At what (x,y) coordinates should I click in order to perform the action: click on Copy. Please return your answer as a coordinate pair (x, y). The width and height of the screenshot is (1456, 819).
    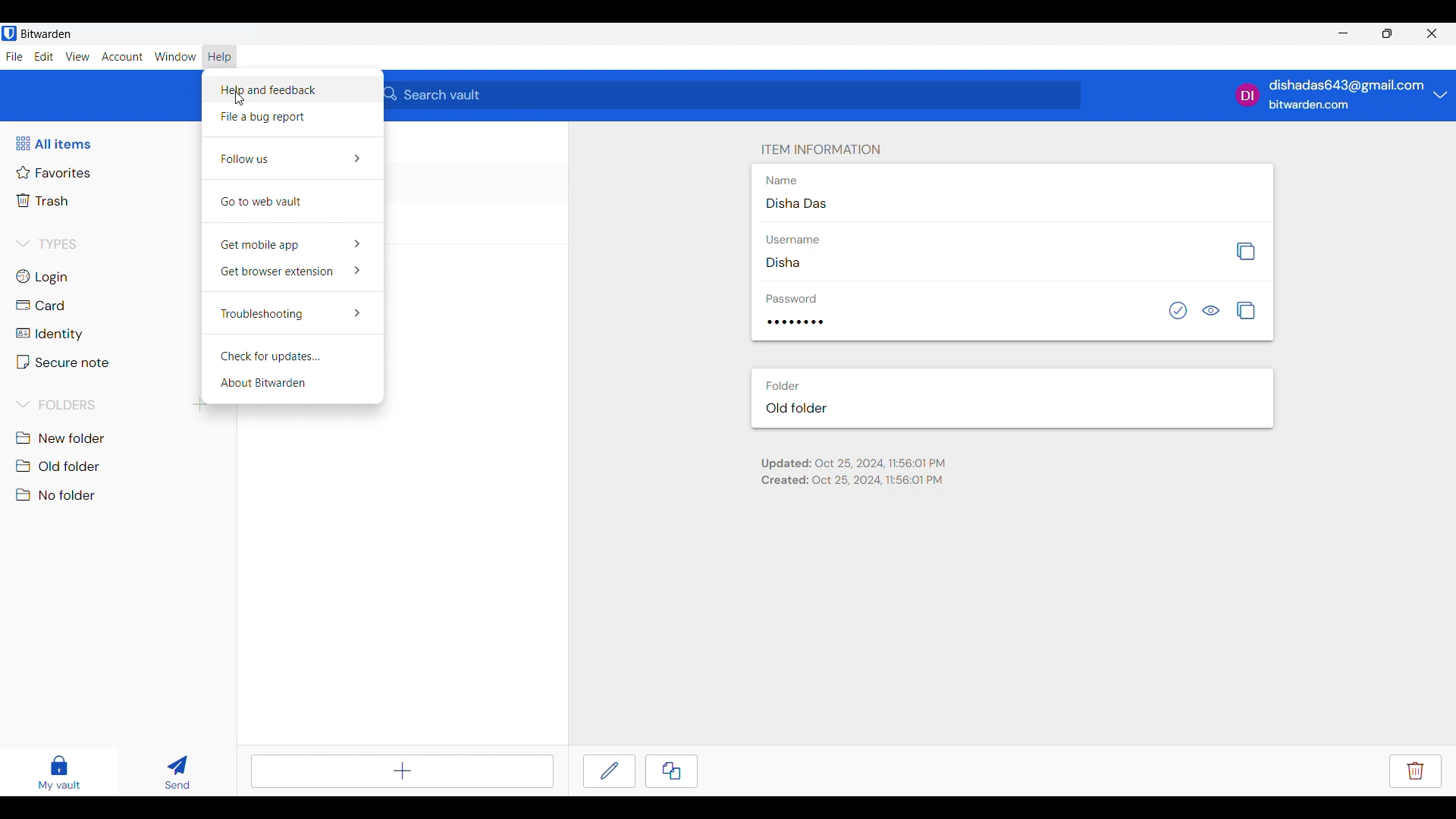
    Looking at the image, I should click on (671, 771).